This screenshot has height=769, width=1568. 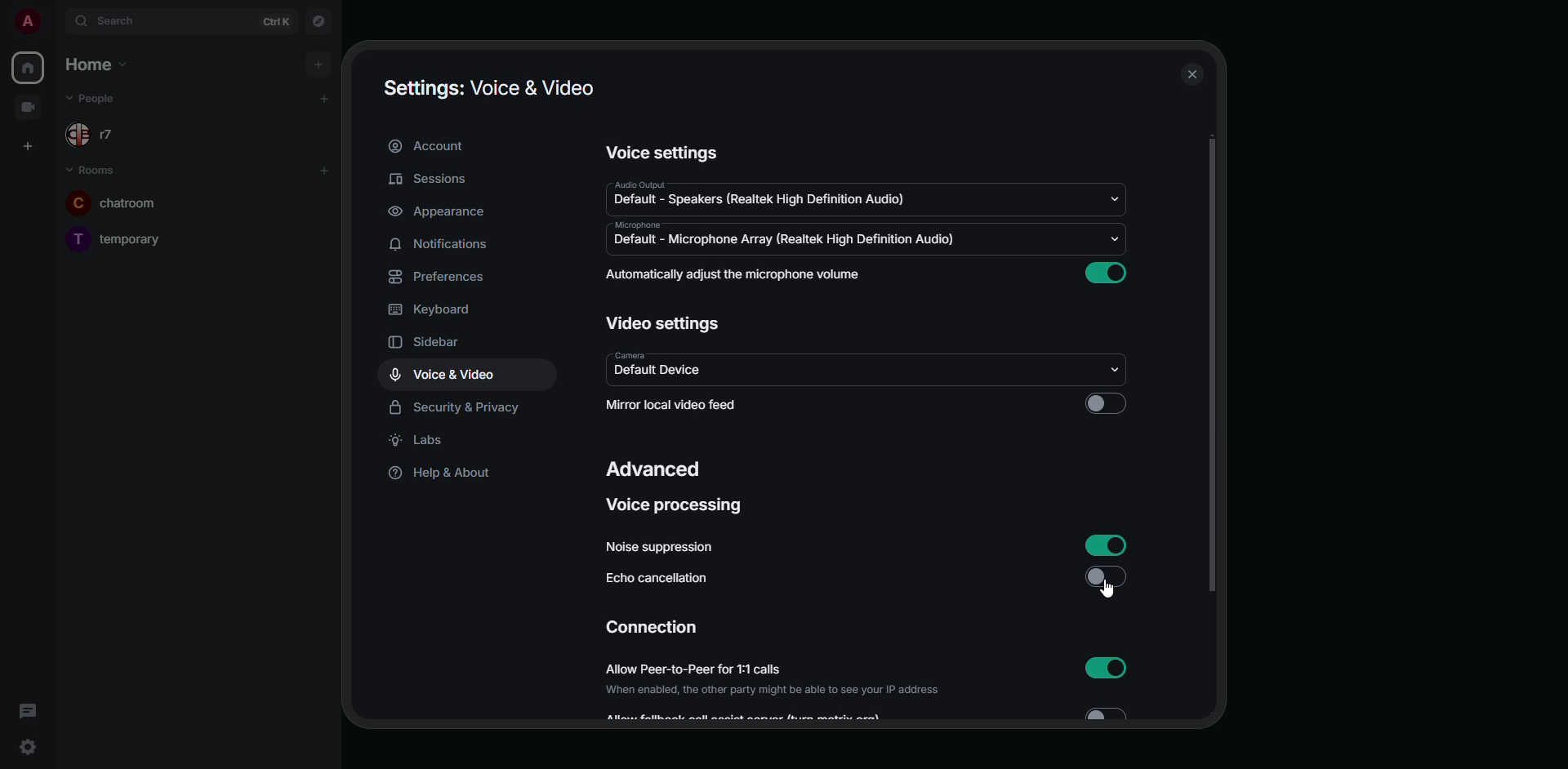 What do you see at coordinates (657, 471) in the screenshot?
I see `advanced` at bounding box center [657, 471].